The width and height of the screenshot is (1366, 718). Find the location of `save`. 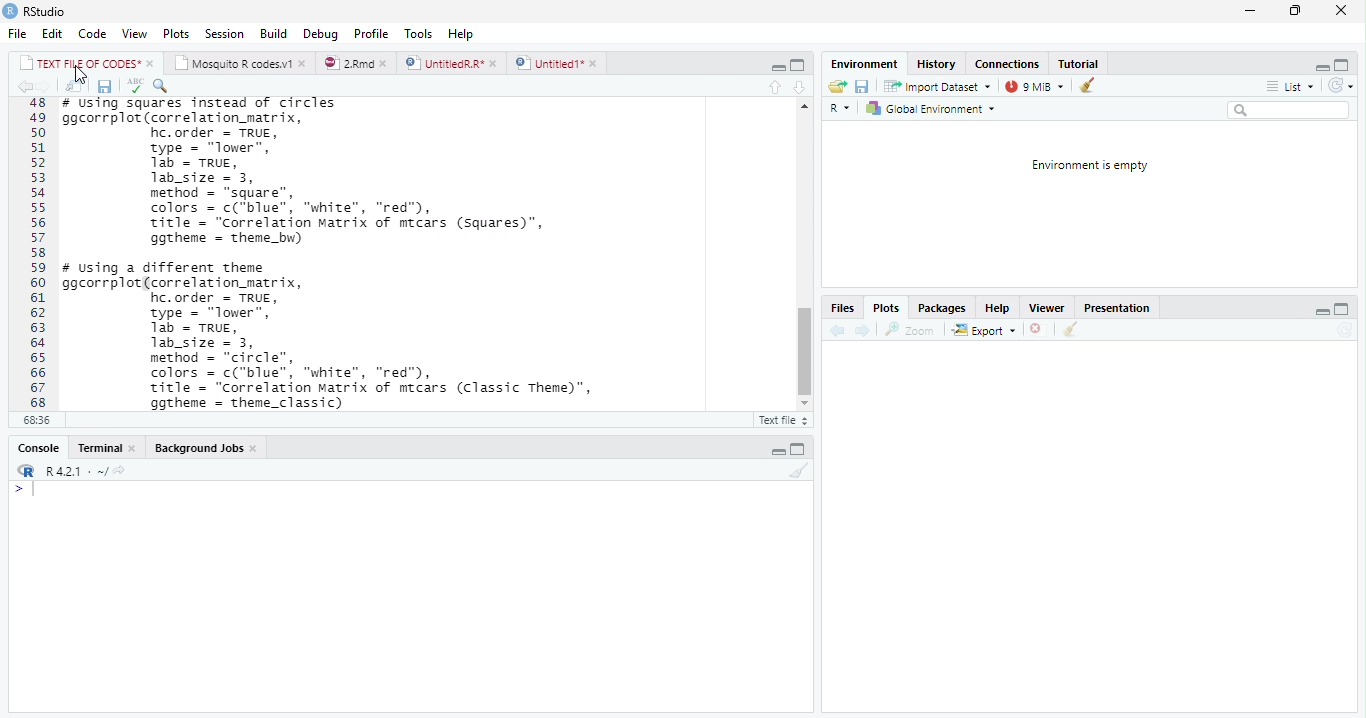

save is located at coordinates (864, 87).